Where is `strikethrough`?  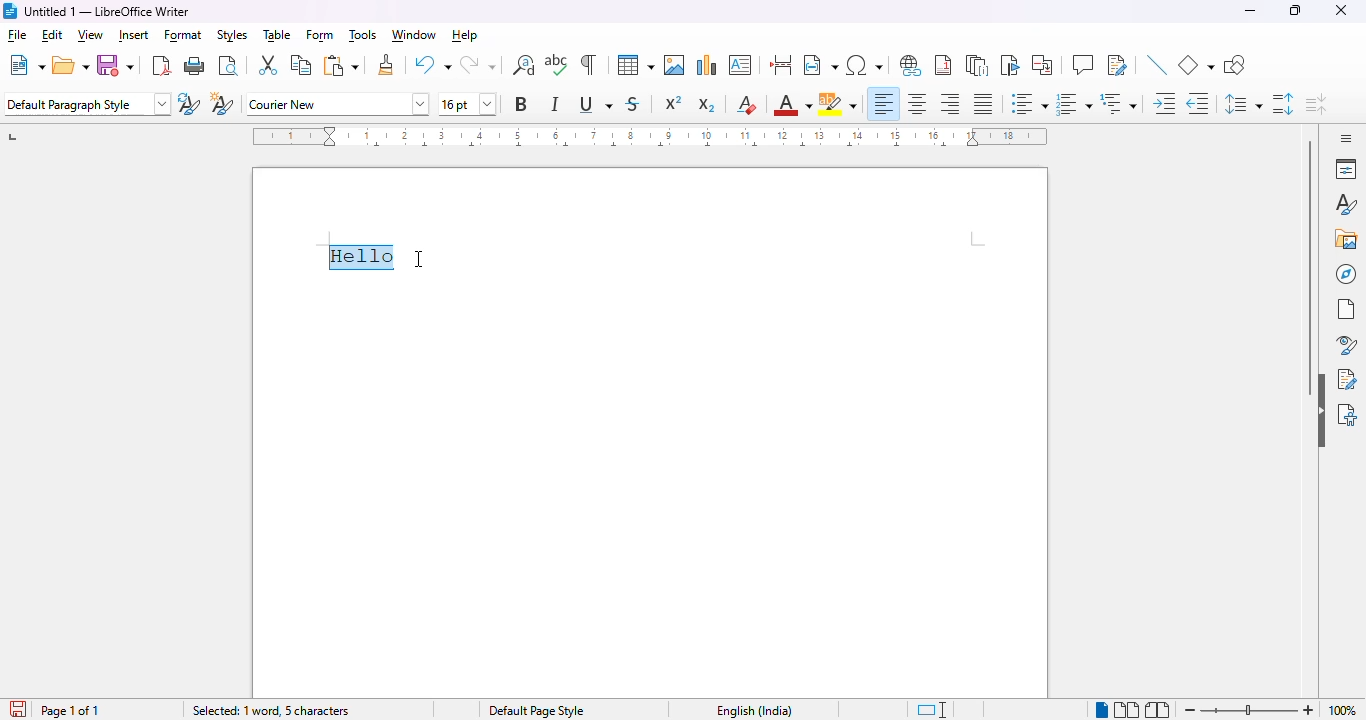 strikethrough is located at coordinates (634, 104).